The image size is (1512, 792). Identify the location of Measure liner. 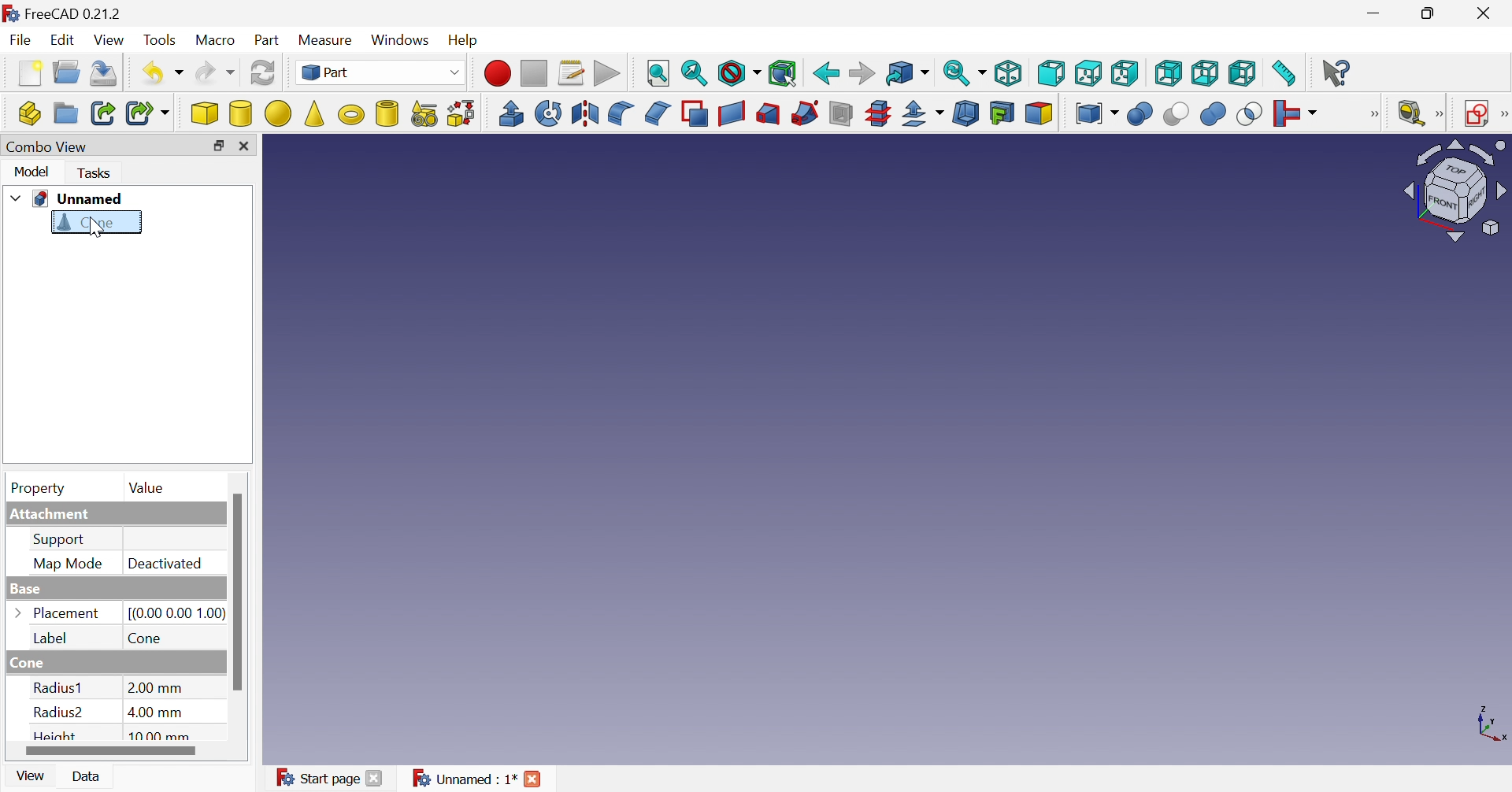
(1412, 114).